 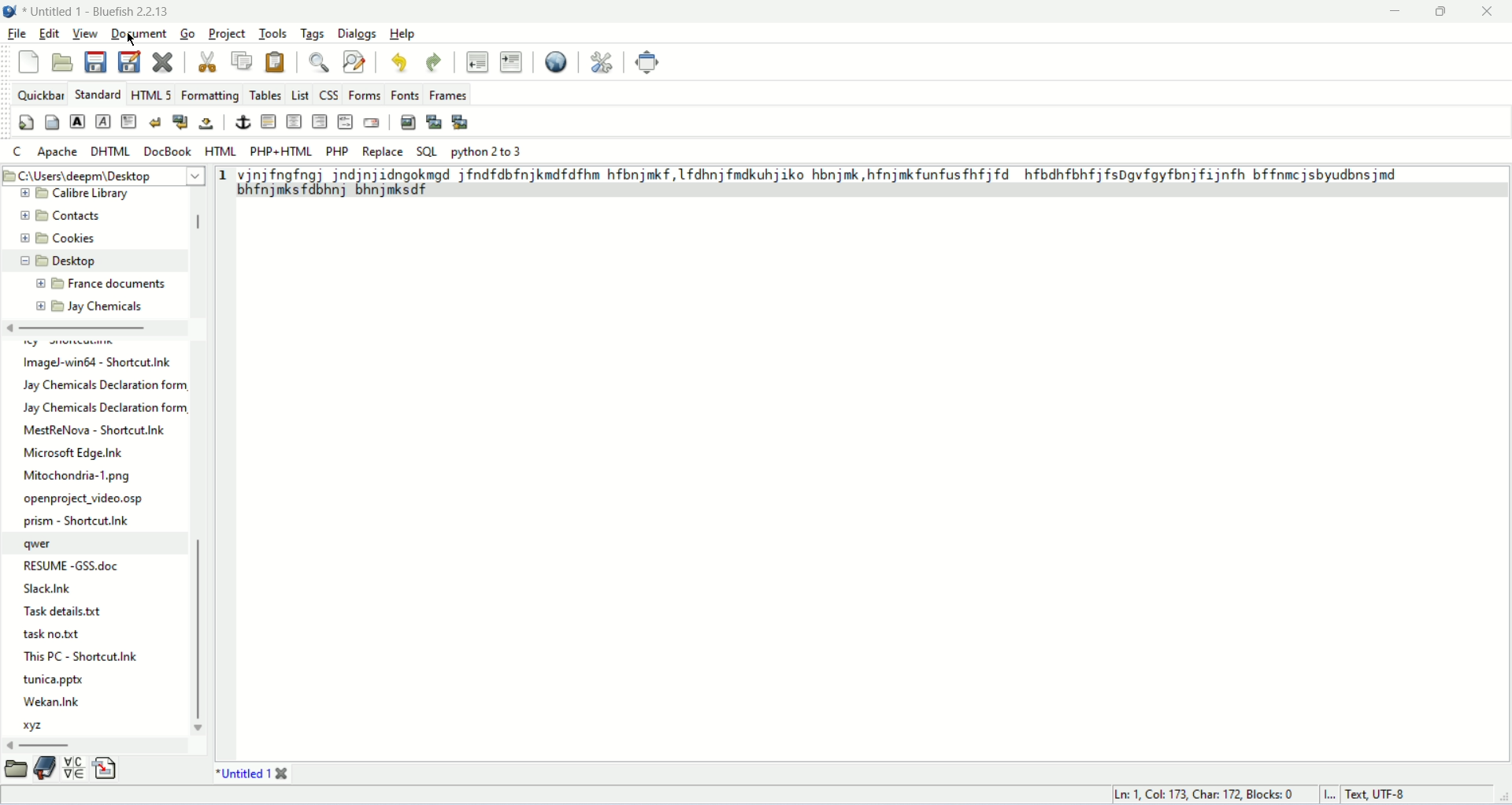 What do you see at coordinates (201, 634) in the screenshot?
I see `vertical scroll bar` at bounding box center [201, 634].